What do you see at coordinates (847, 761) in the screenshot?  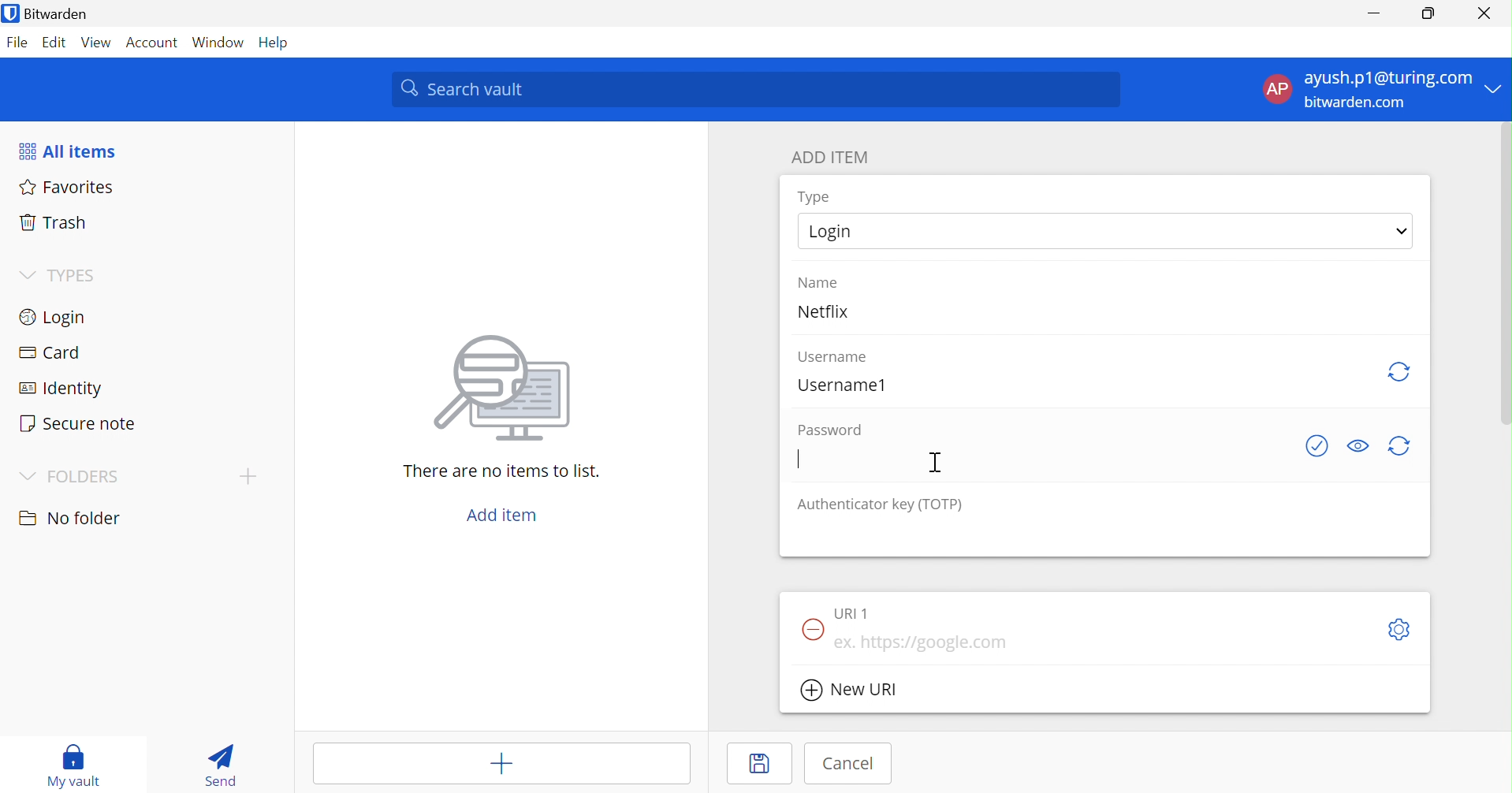 I see `Cancel` at bounding box center [847, 761].